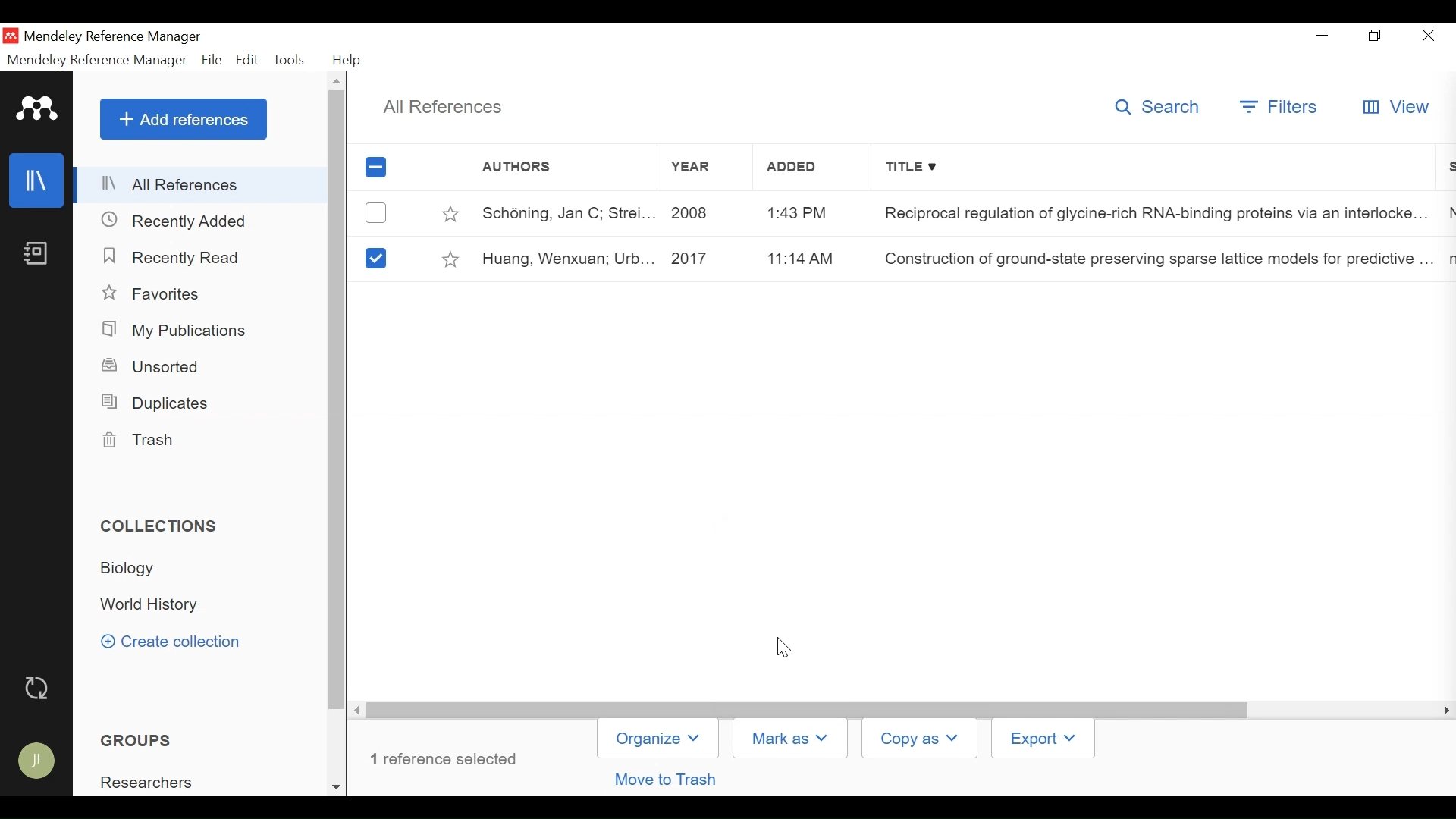  I want to click on Add References, so click(184, 118).